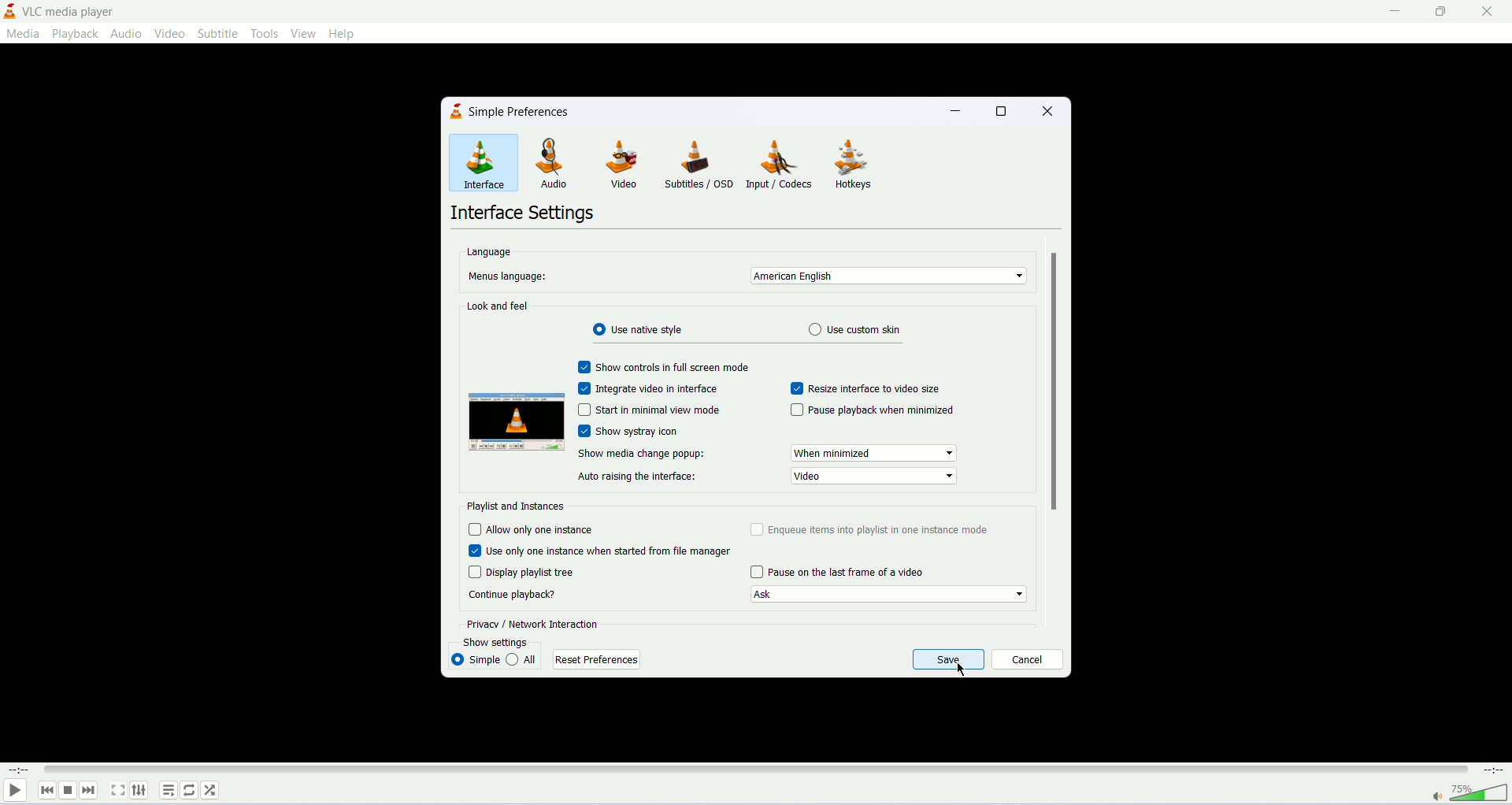 The width and height of the screenshot is (1512, 805). What do you see at coordinates (645, 329) in the screenshot?
I see `use native style` at bounding box center [645, 329].